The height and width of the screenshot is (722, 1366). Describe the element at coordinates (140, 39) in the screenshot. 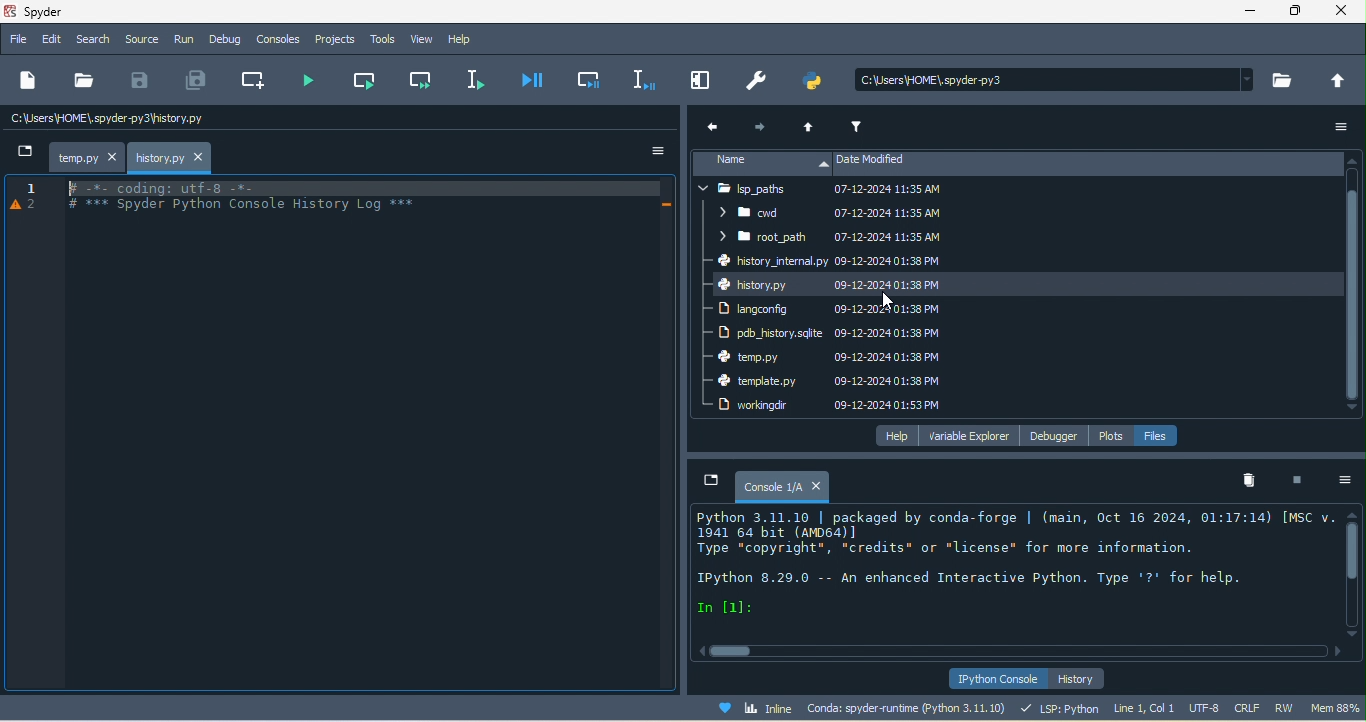

I see `source` at that location.